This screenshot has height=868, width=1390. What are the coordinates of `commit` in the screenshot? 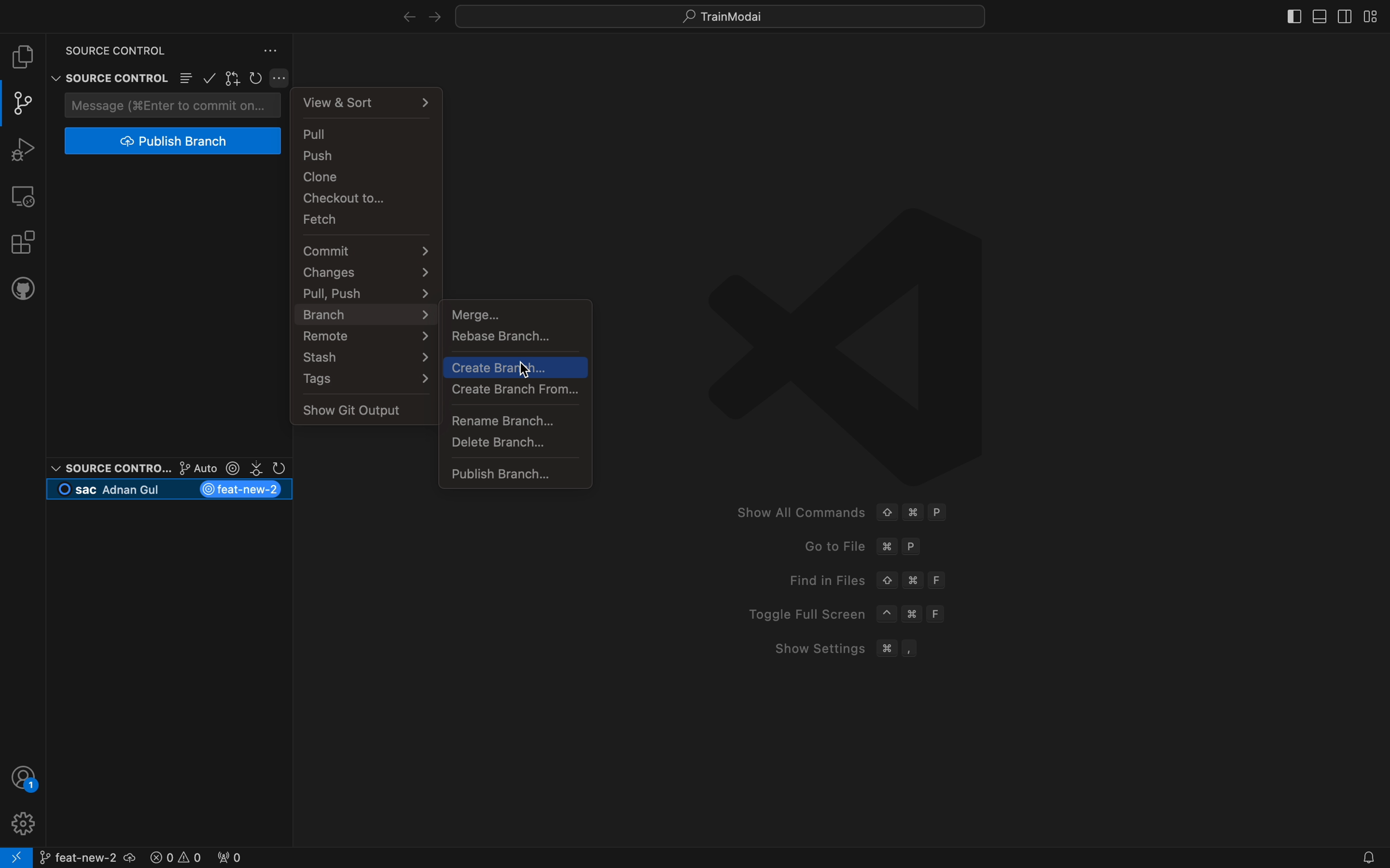 It's located at (366, 251).